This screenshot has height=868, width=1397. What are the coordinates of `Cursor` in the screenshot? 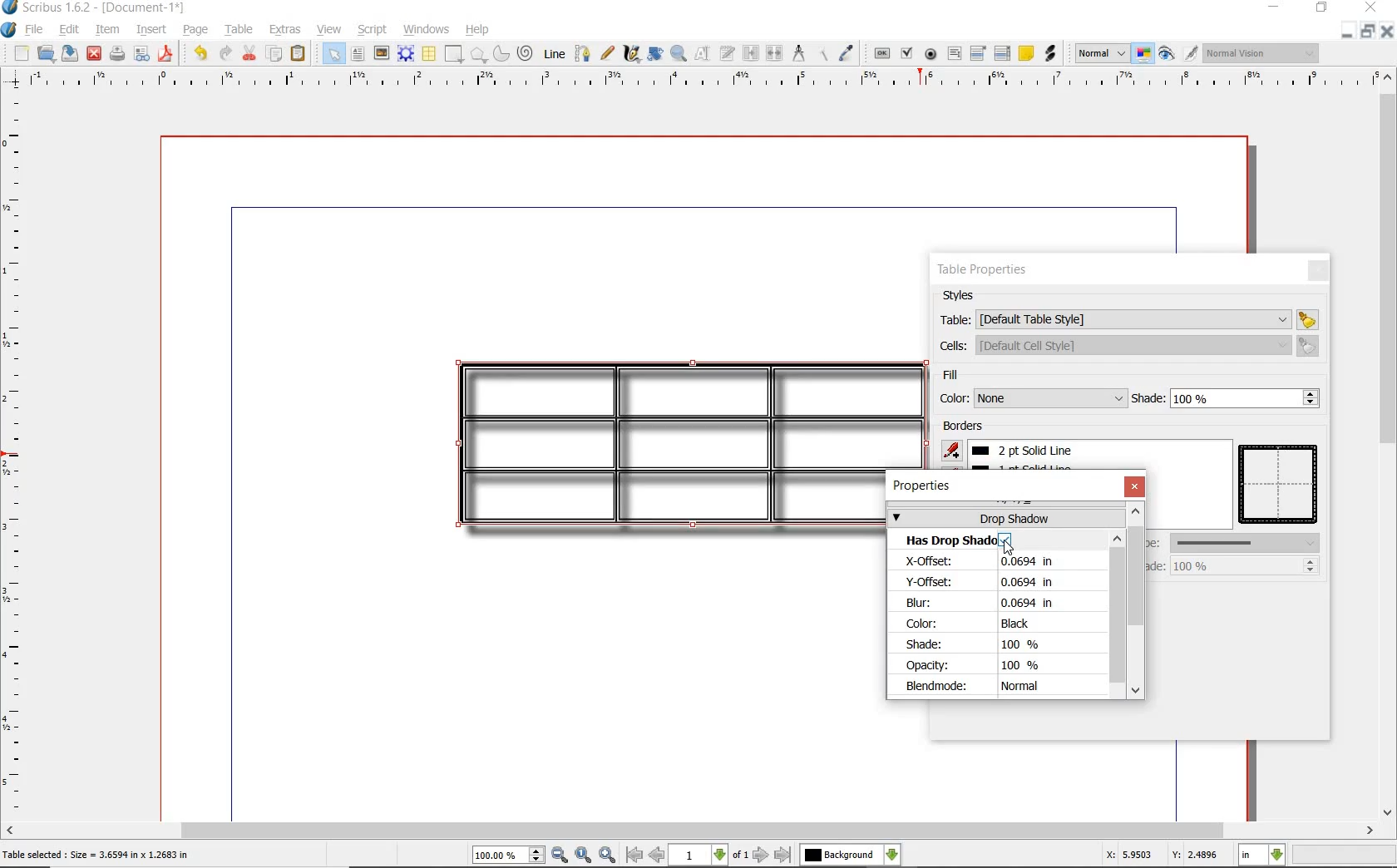 It's located at (1008, 548).